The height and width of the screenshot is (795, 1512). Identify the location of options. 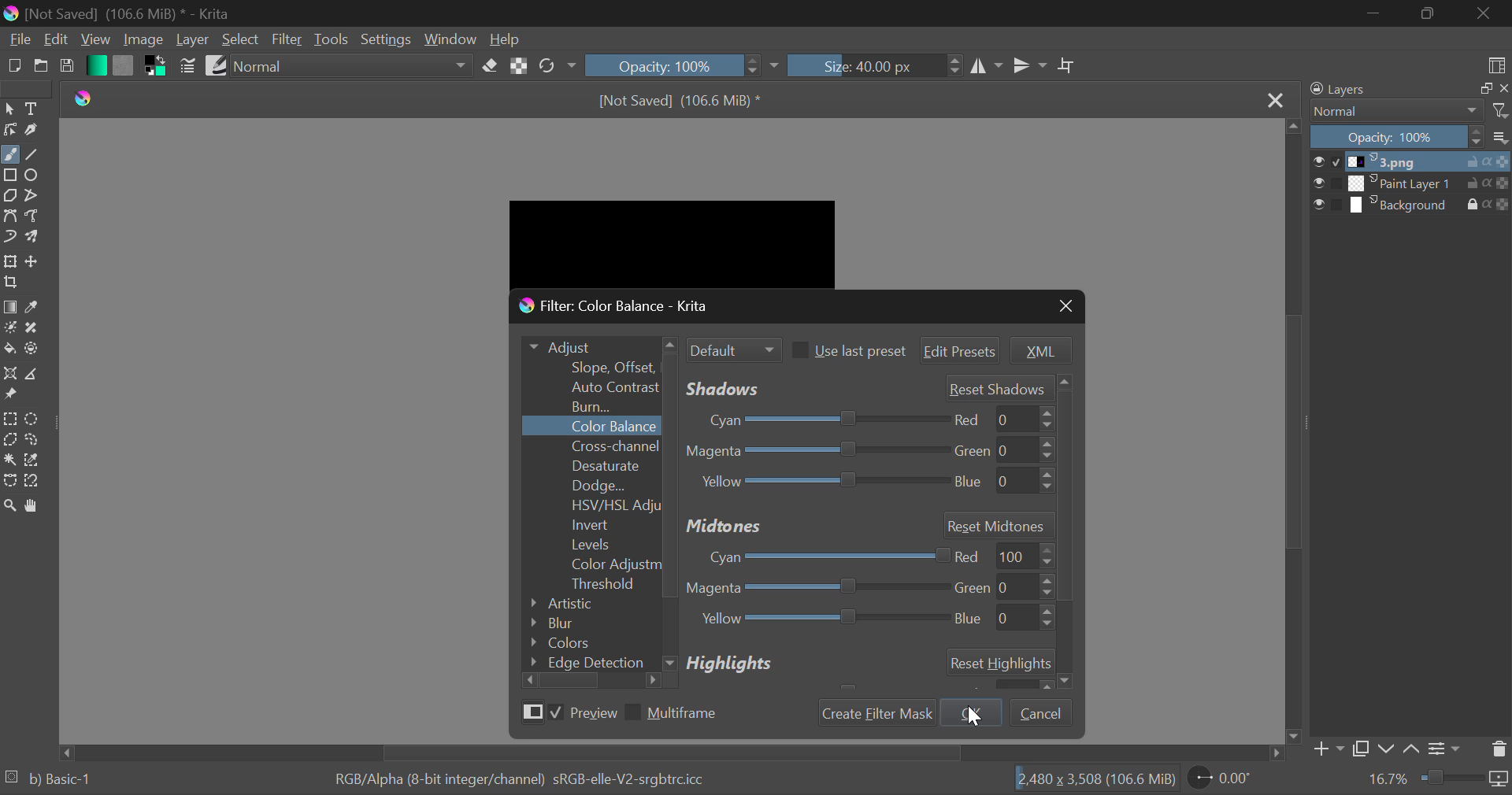
(1503, 136).